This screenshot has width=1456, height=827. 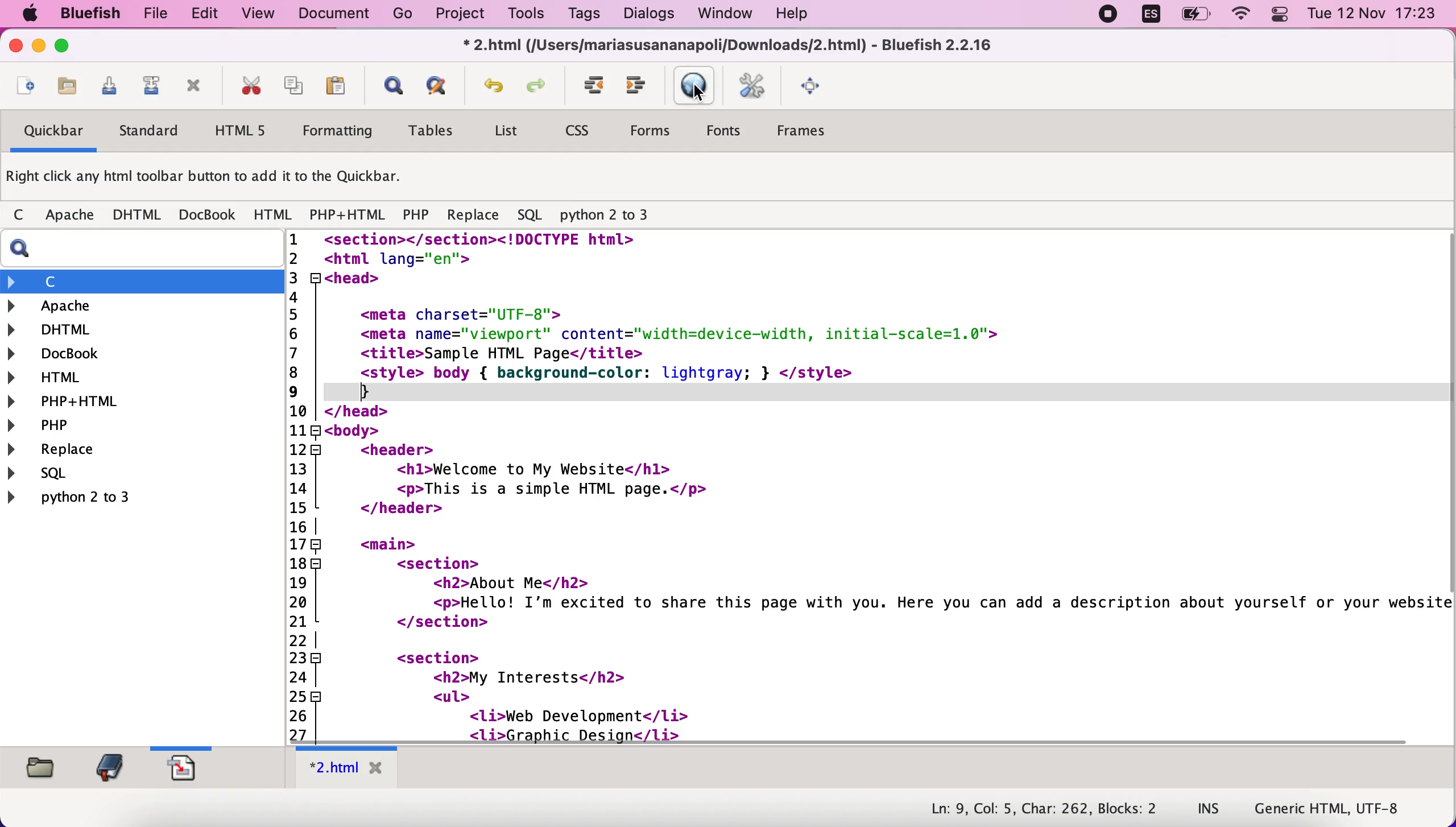 What do you see at coordinates (736, 129) in the screenshot?
I see `fonts` at bounding box center [736, 129].